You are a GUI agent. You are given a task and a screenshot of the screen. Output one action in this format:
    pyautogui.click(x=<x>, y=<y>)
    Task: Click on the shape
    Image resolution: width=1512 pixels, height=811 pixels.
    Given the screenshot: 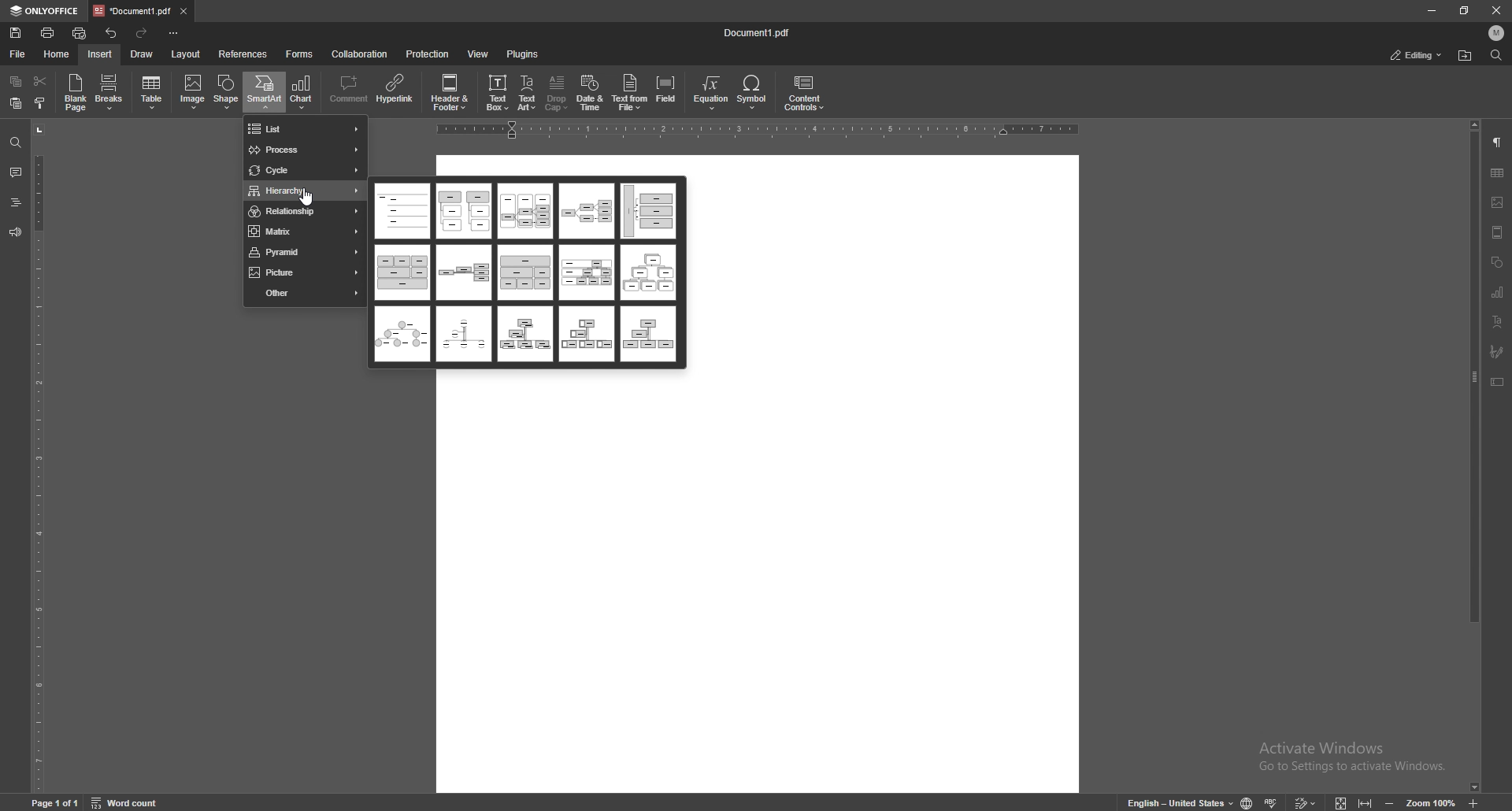 What is the action you would take?
    pyautogui.click(x=228, y=91)
    